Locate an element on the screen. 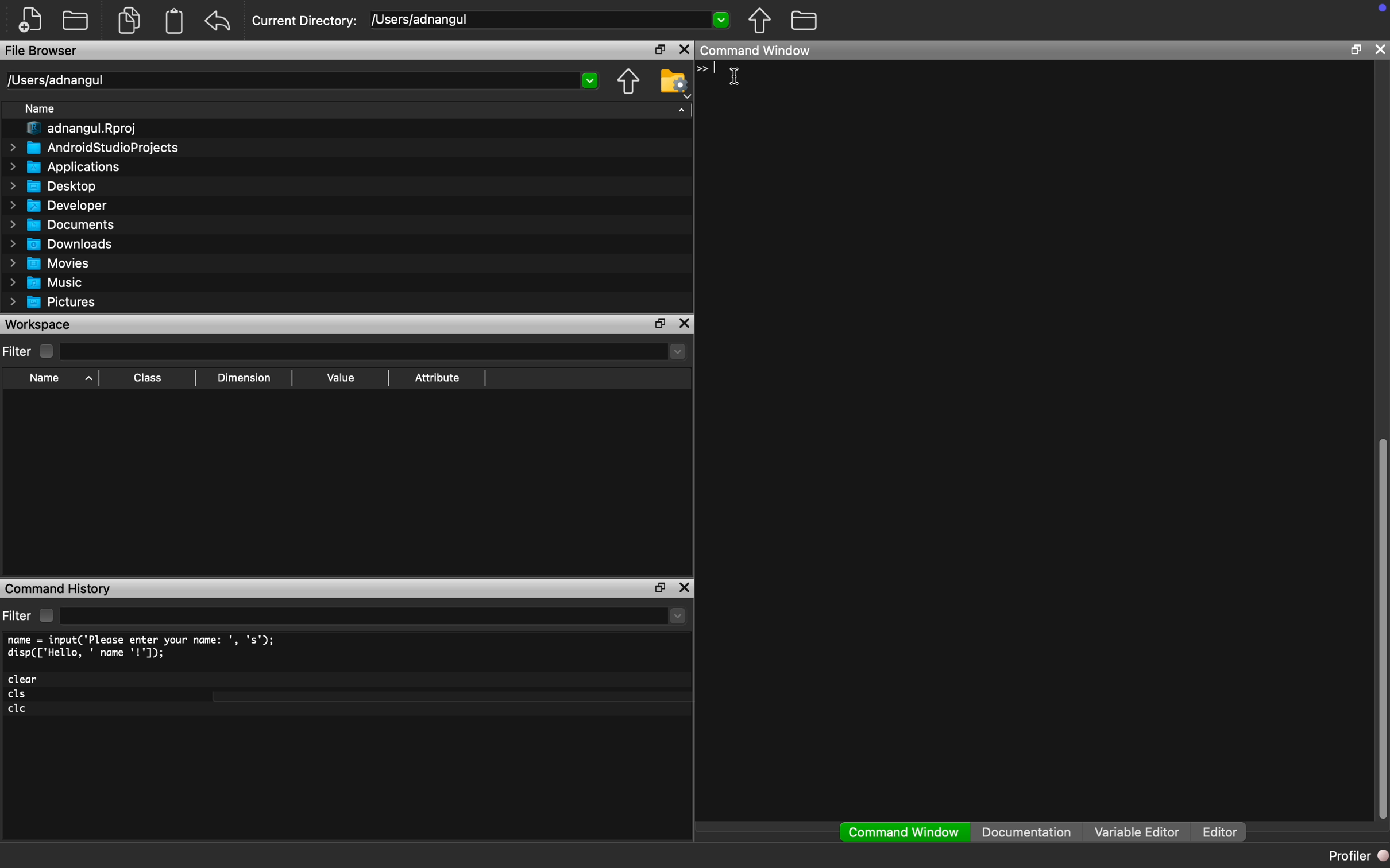  dropdown is located at coordinates (591, 81).